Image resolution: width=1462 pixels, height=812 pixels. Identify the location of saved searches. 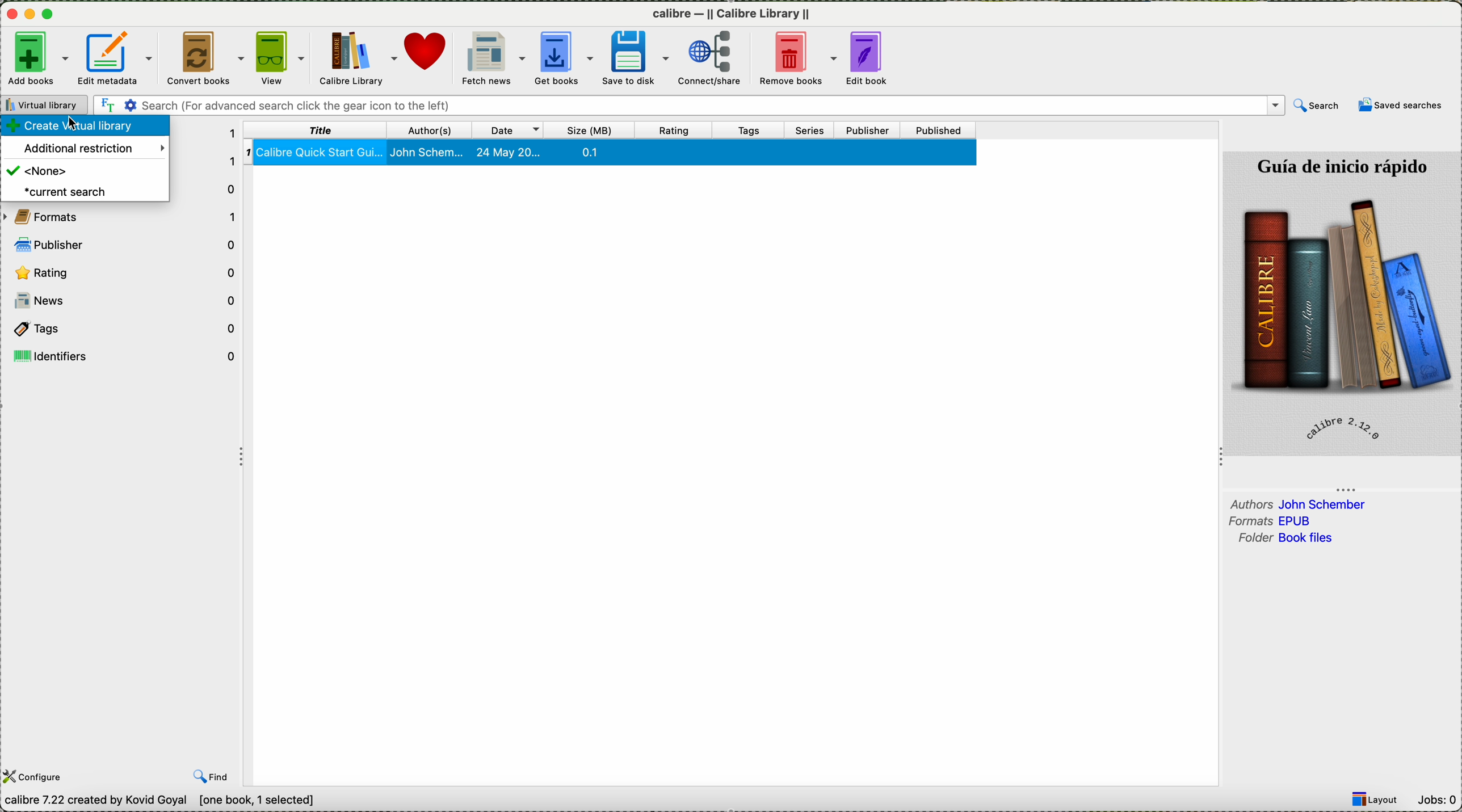
(1402, 106).